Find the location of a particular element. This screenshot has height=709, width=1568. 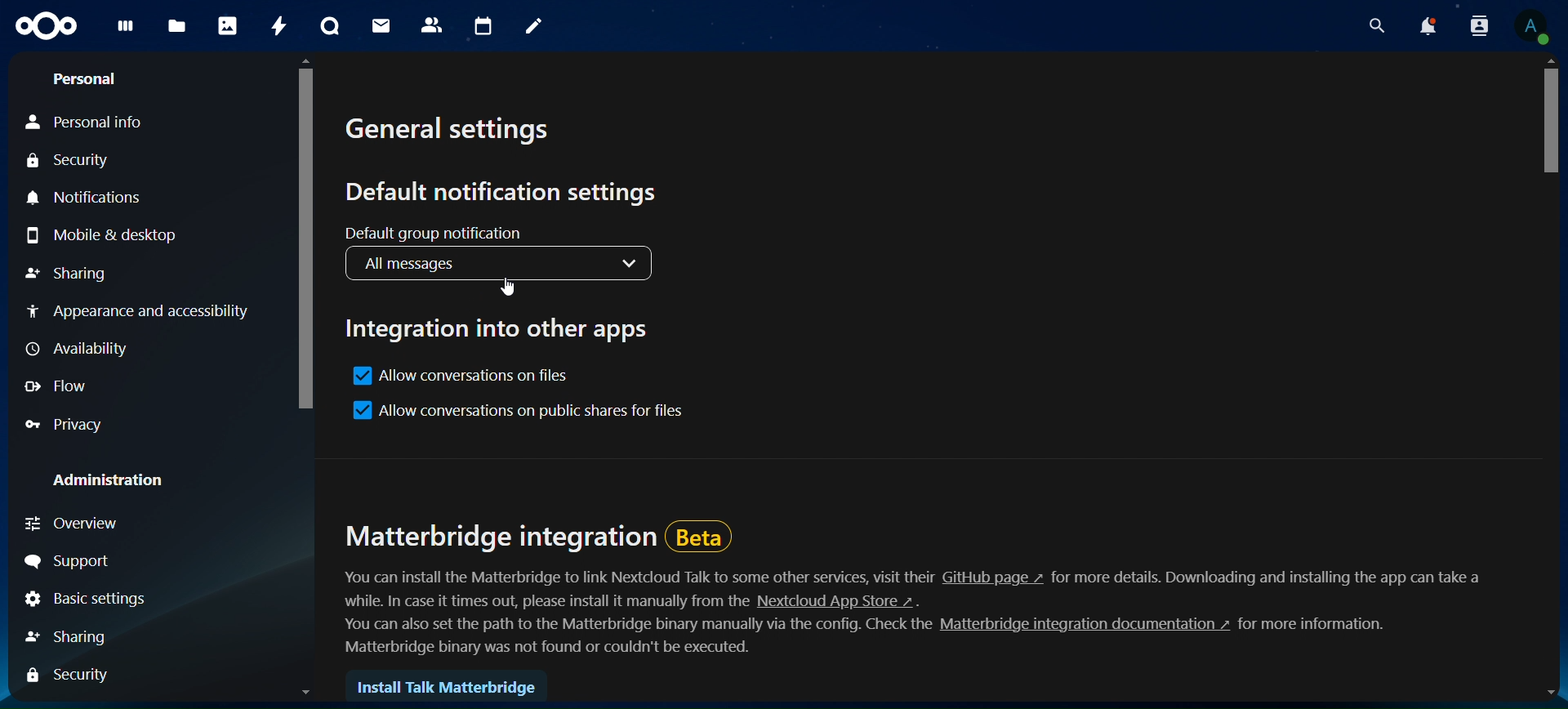

availability is located at coordinates (77, 350).